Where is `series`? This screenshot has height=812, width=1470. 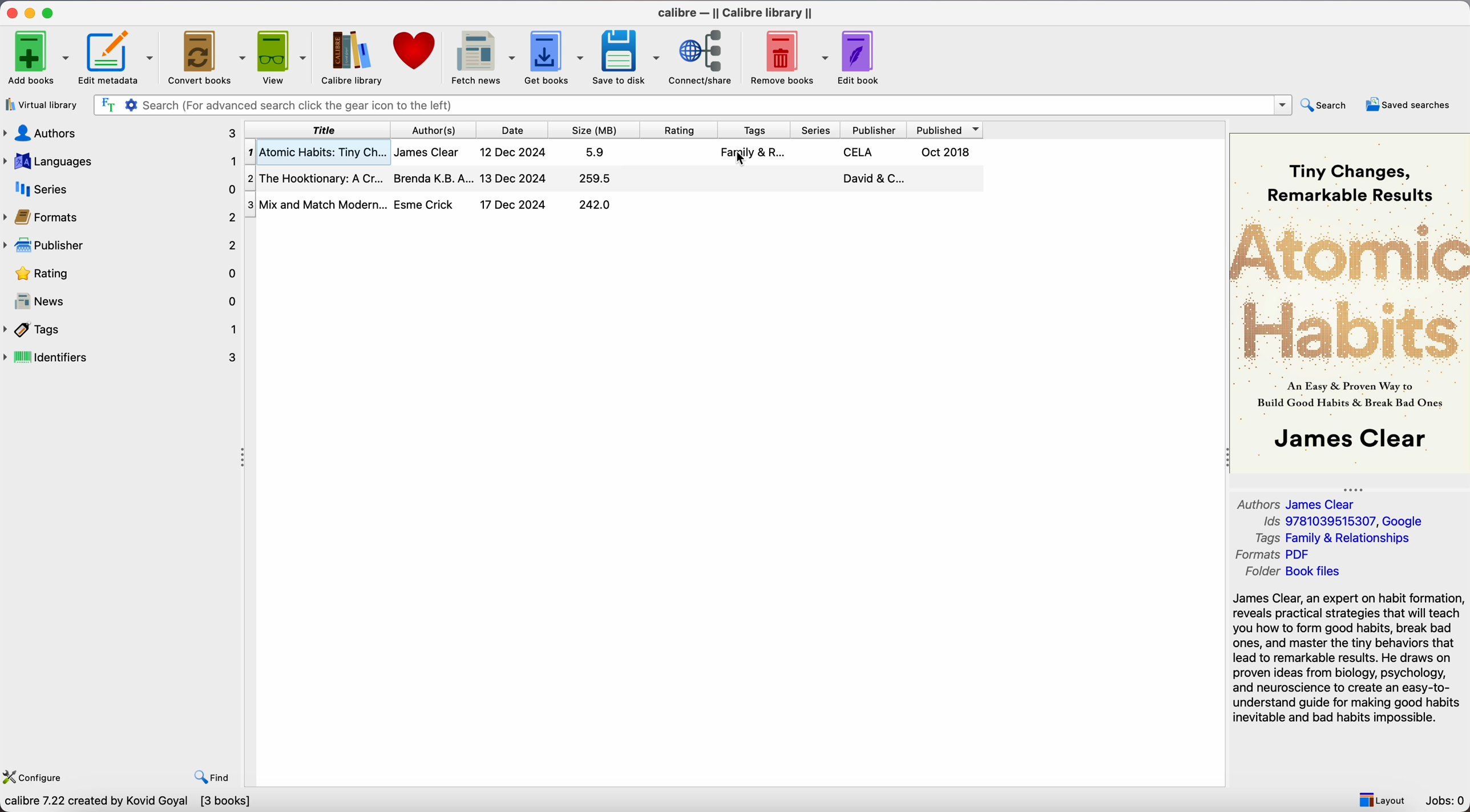
series is located at coordinates (119, 189).